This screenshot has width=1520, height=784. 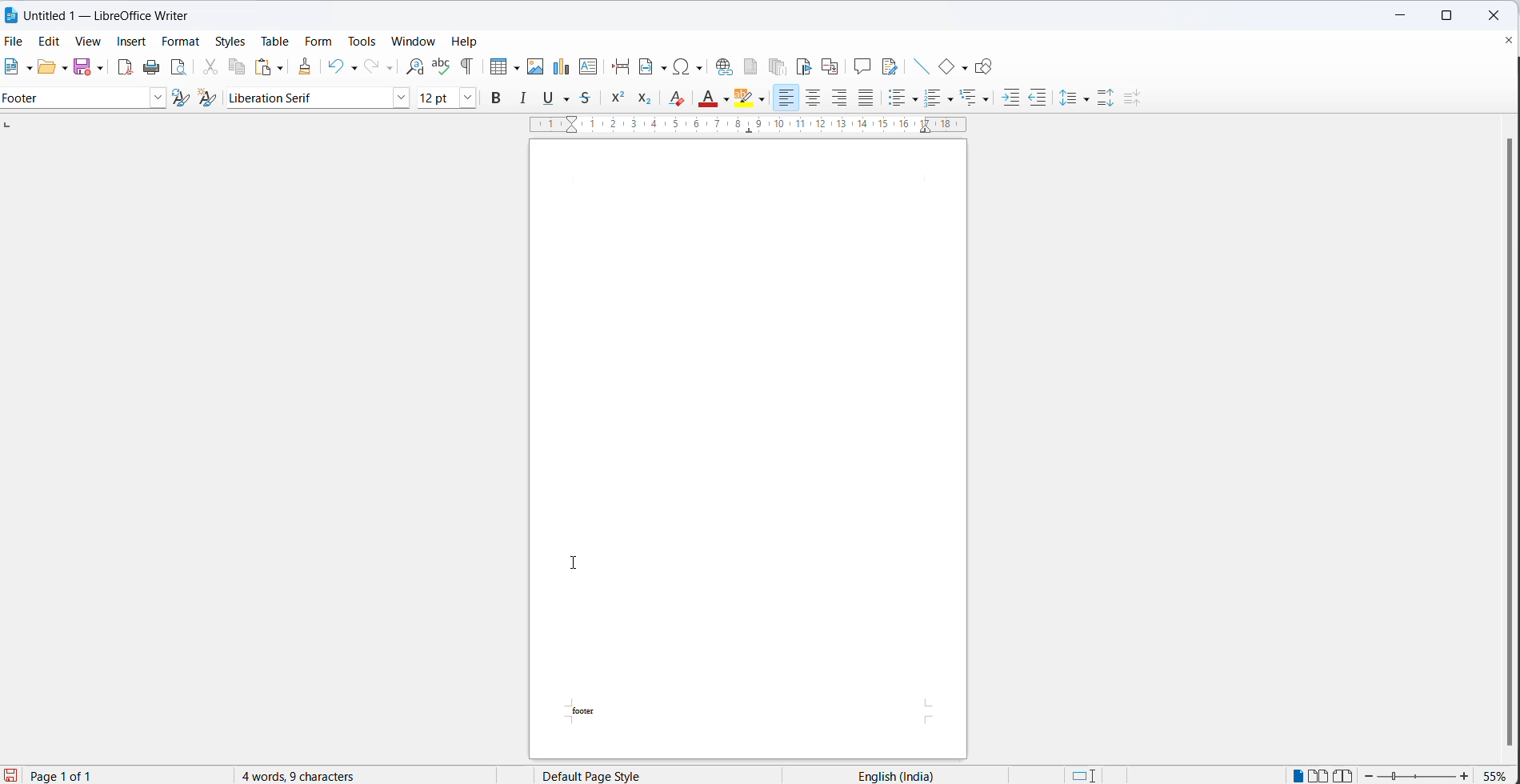 What do you see at coordinates (1346, 774) in the screenshot?
I see `book view` at bounding box center [1346, 774].